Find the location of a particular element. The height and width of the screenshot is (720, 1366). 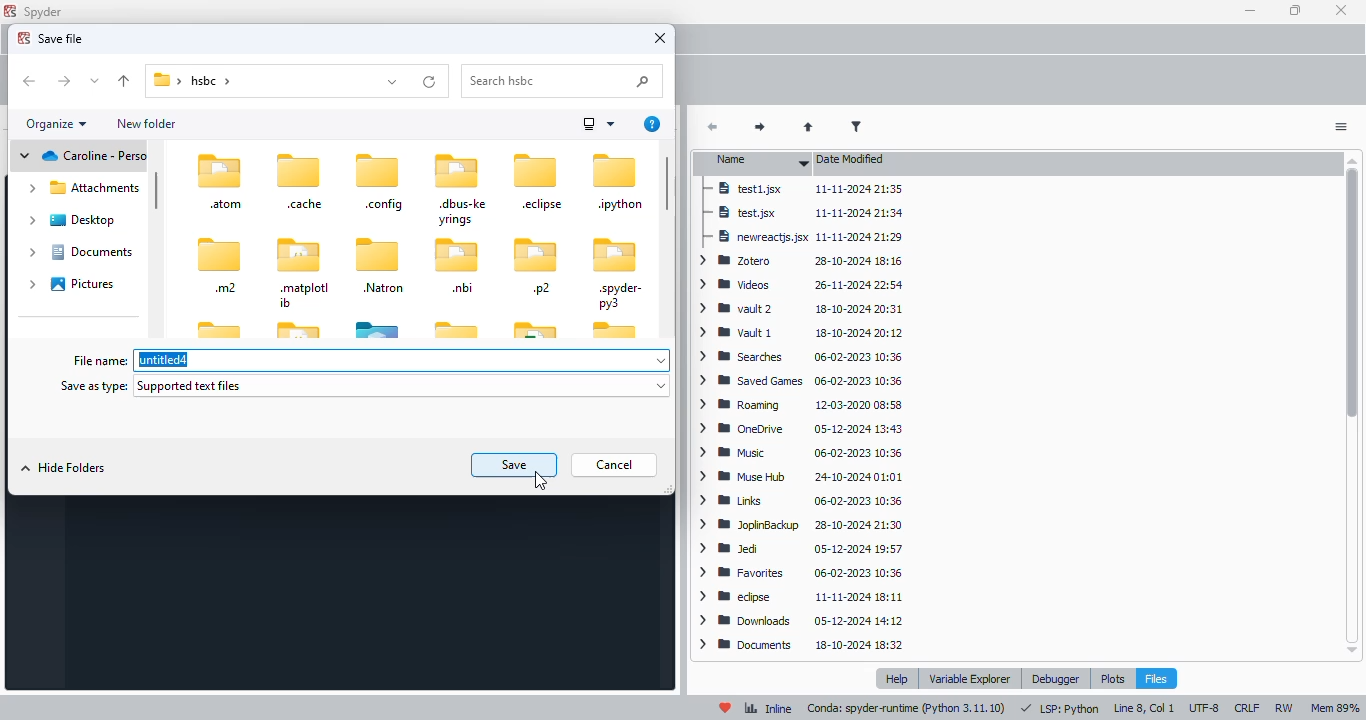

.eclipse is located at coordinates (541, 181).